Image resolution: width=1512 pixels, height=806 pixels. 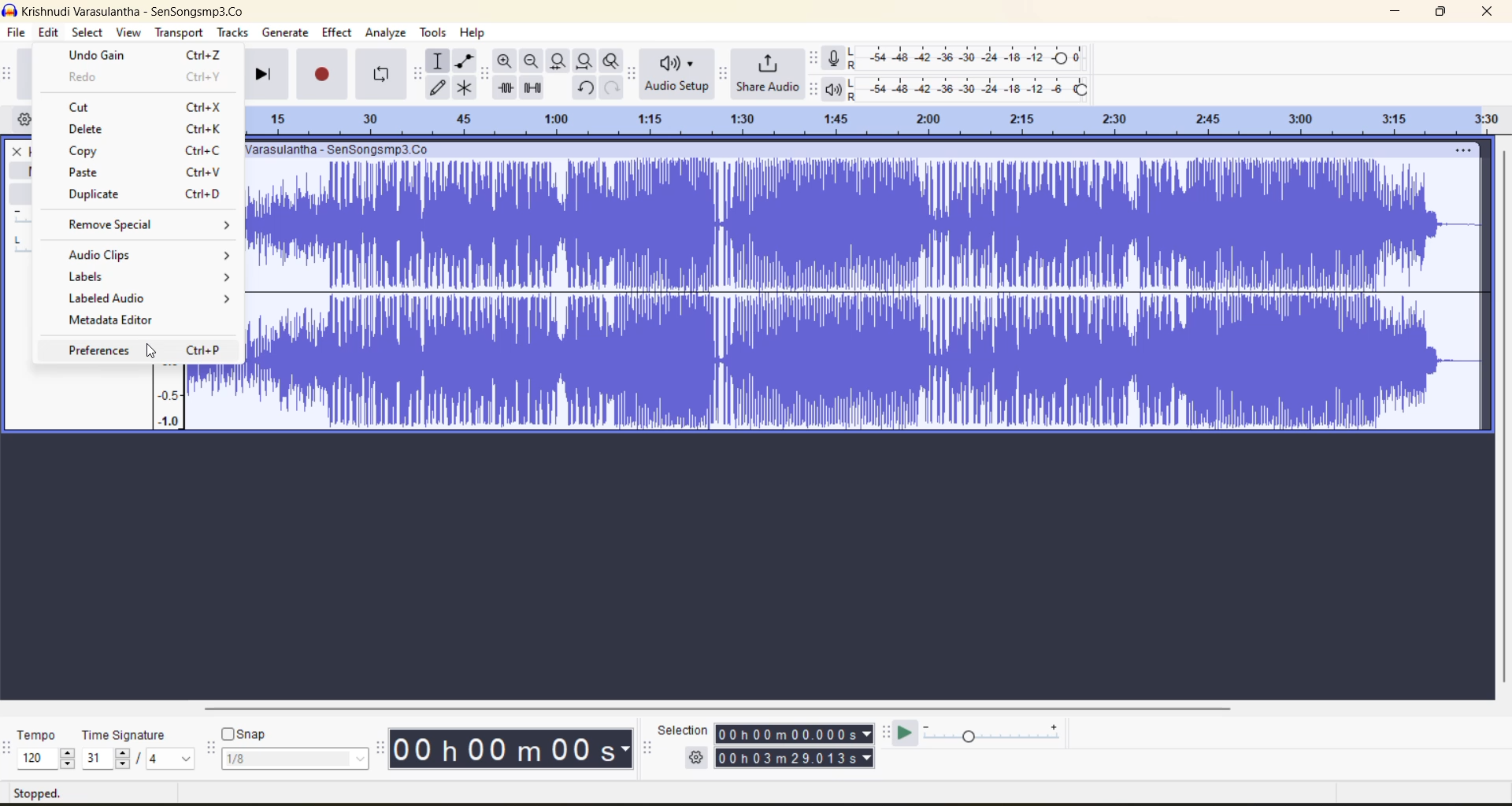 What do you see at coordinates (530, 61) in the screenshot?
I see `zoom out` at bounding box center [530, 61].